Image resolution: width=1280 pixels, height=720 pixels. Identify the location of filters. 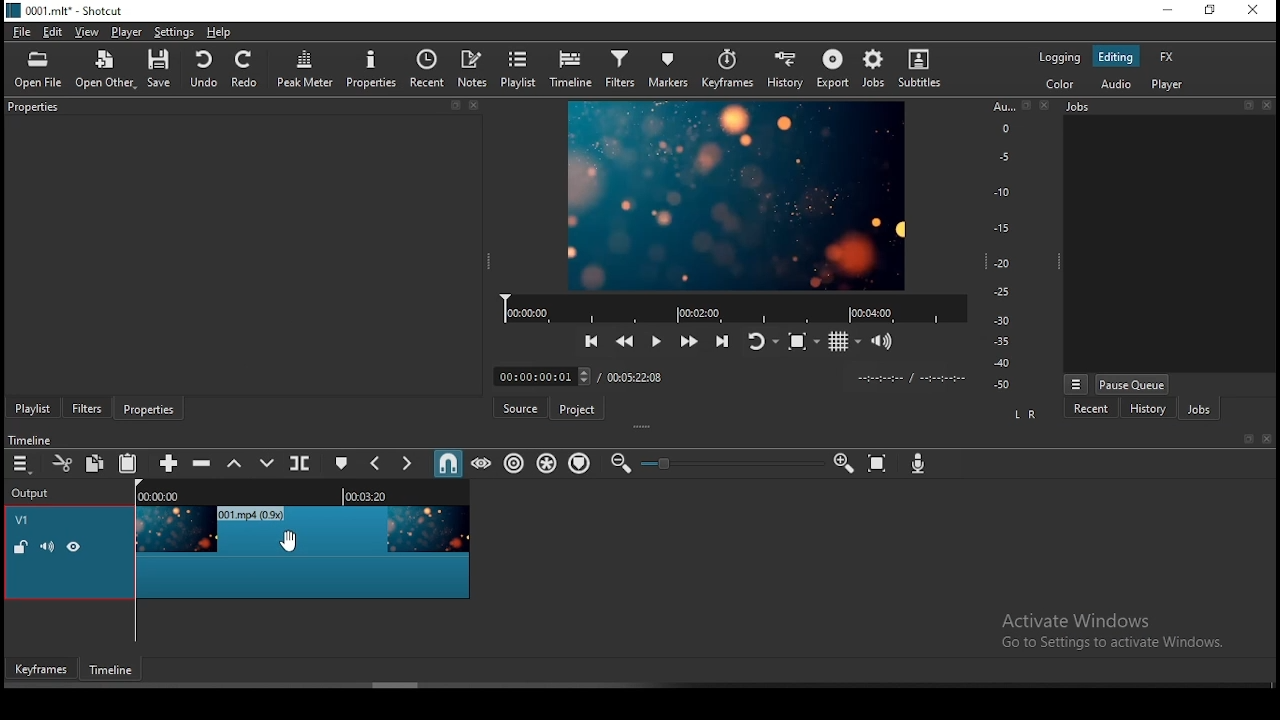
(87, 407).